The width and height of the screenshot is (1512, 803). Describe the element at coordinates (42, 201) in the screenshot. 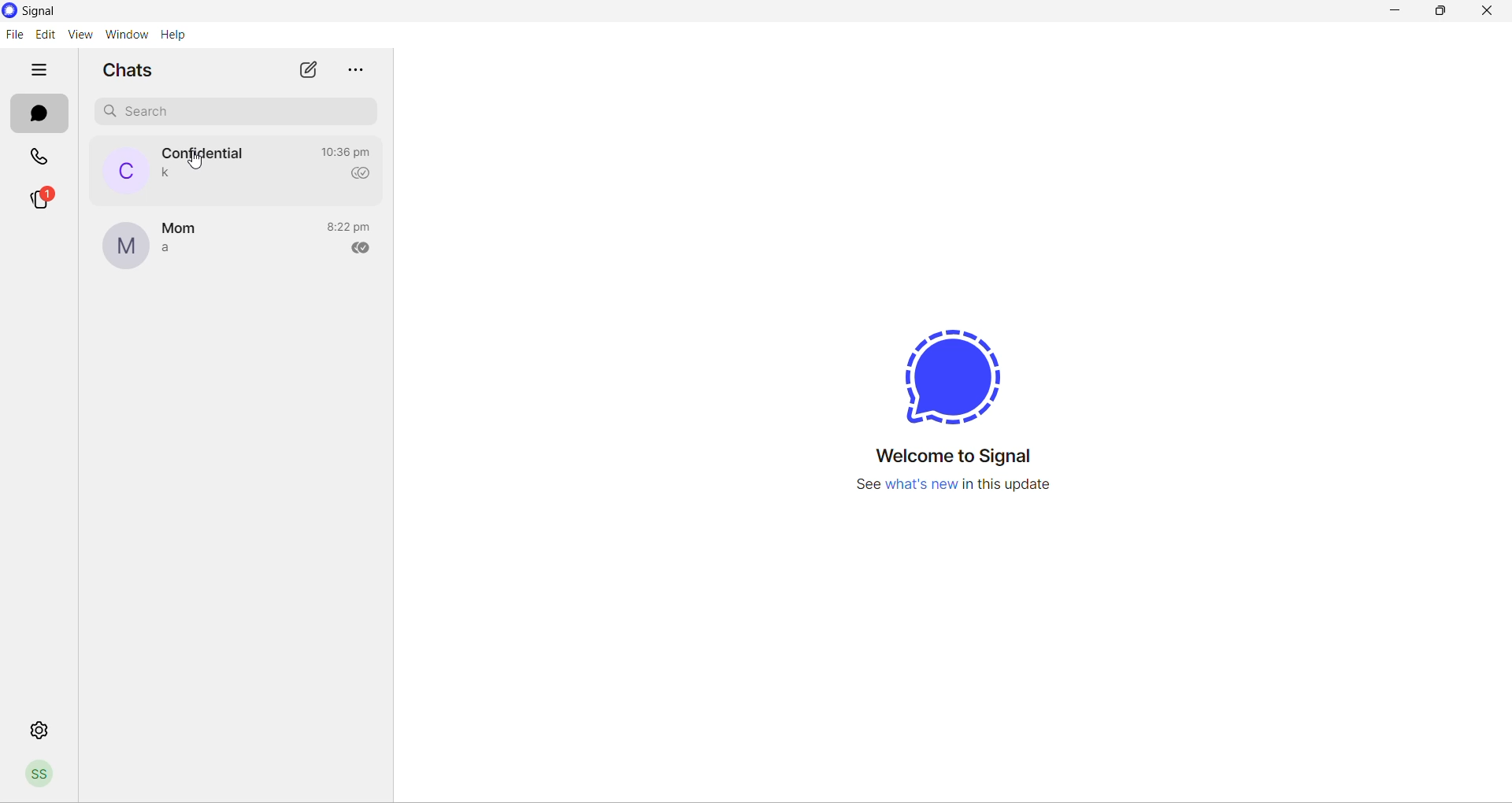

I see `stories` at that location.